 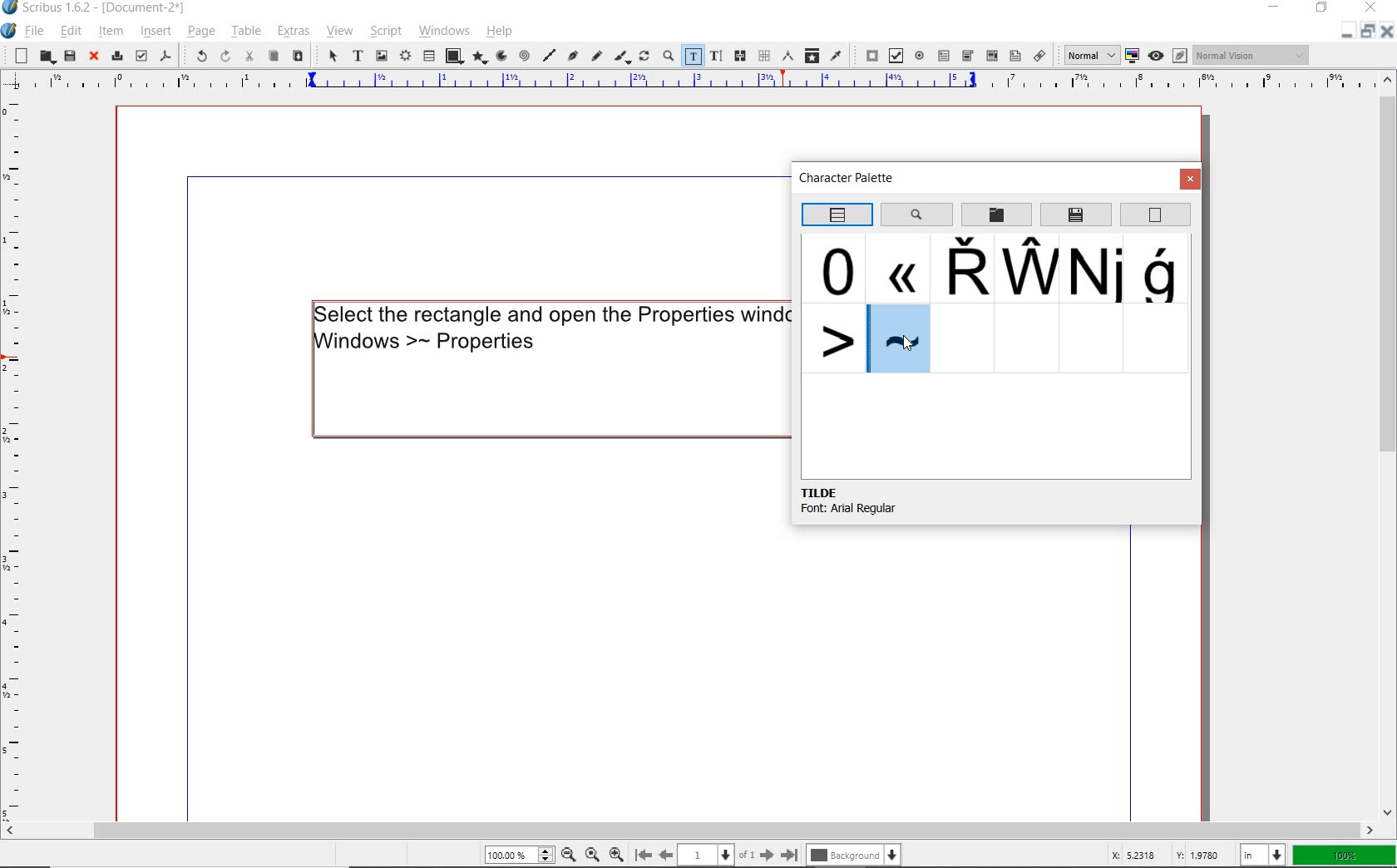 What do you see at coordinates (517, 855) in the screenshot?
I see `100.00%` at bounding box center [517, 855].